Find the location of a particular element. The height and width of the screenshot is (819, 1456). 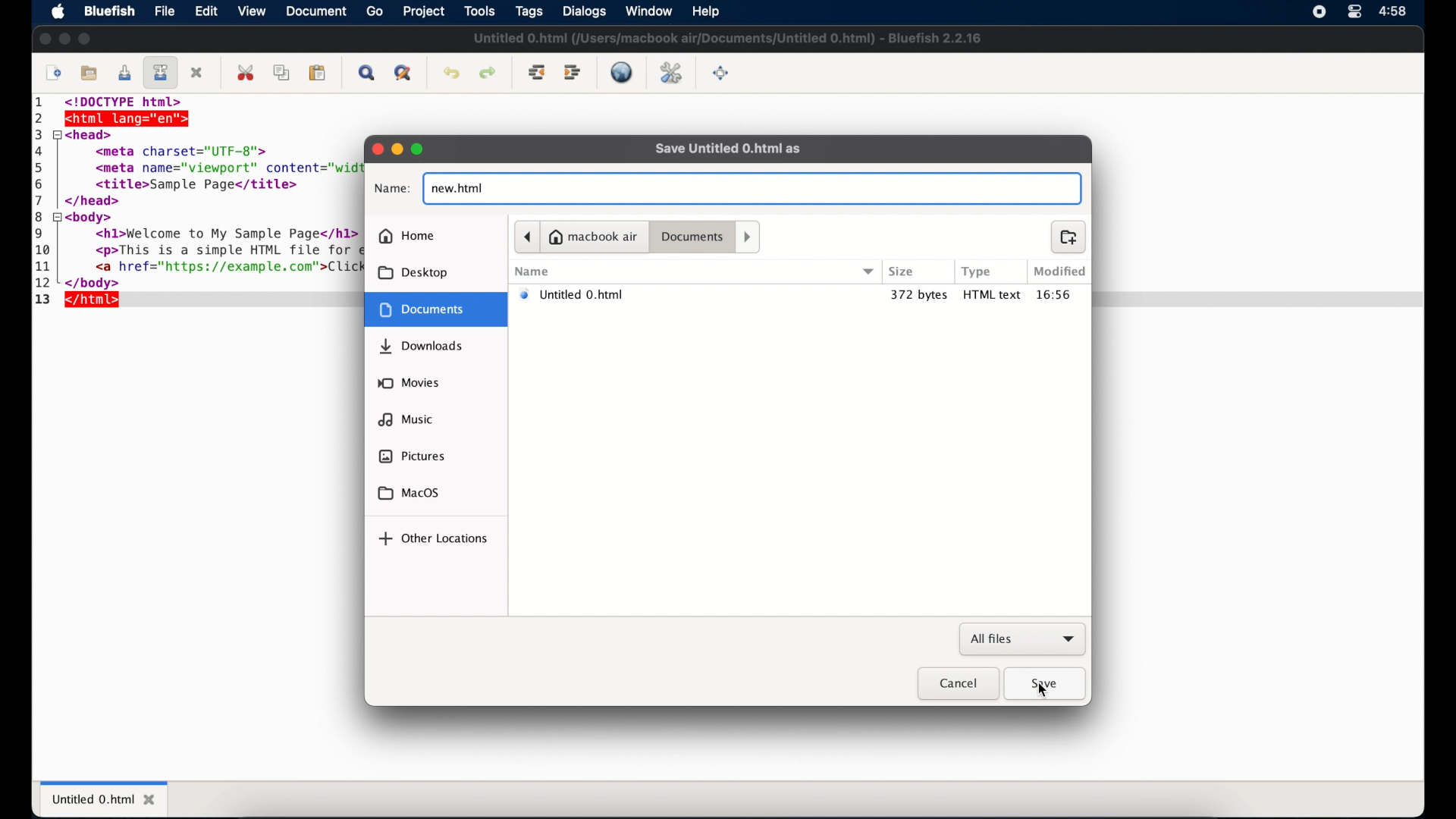

other locations is located at coordinates (432, 538).